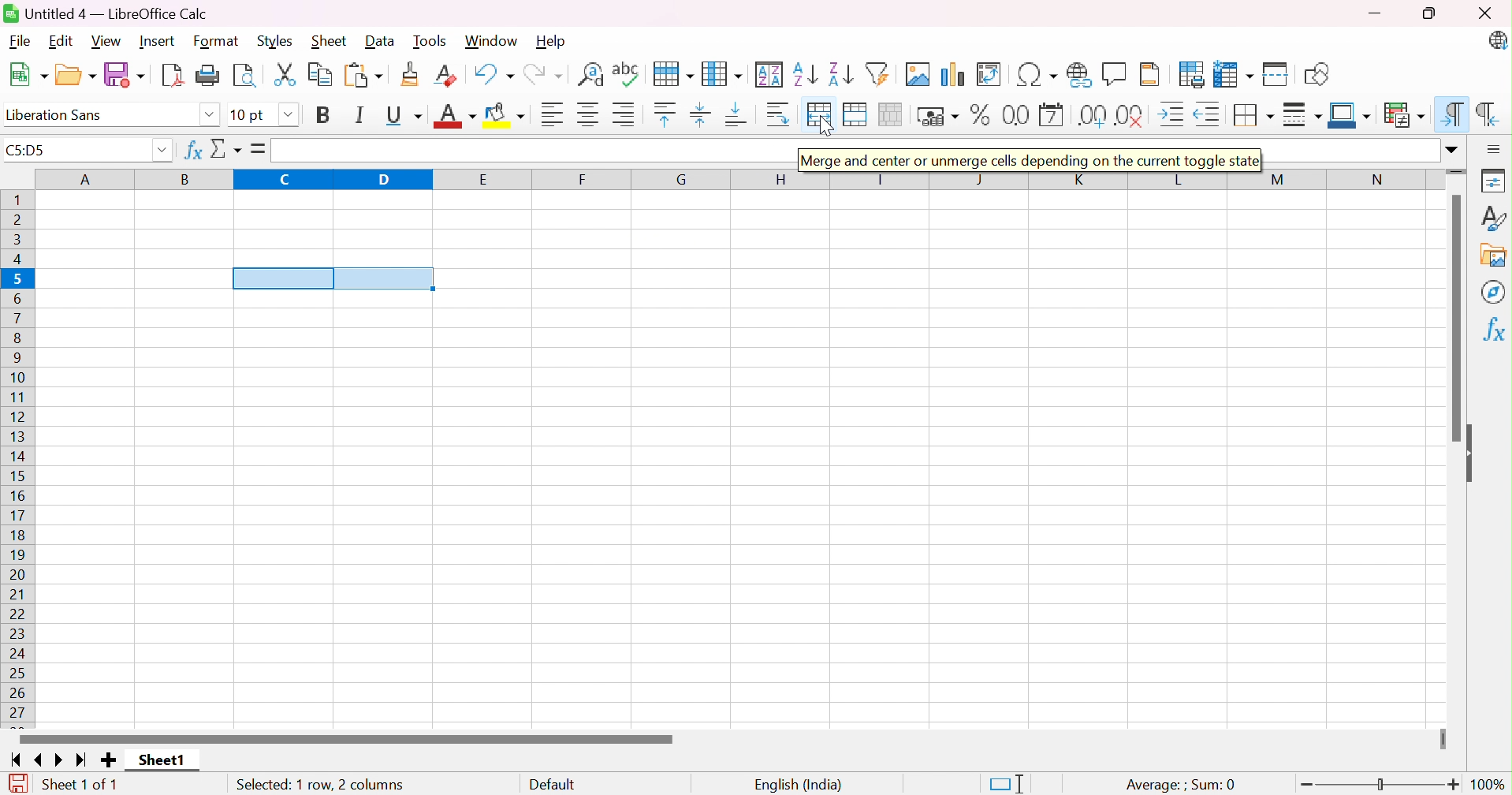  What do you see at coordinates (403, 115) in the screenshot?
I see `Underline` at bounding box center [403, 115].